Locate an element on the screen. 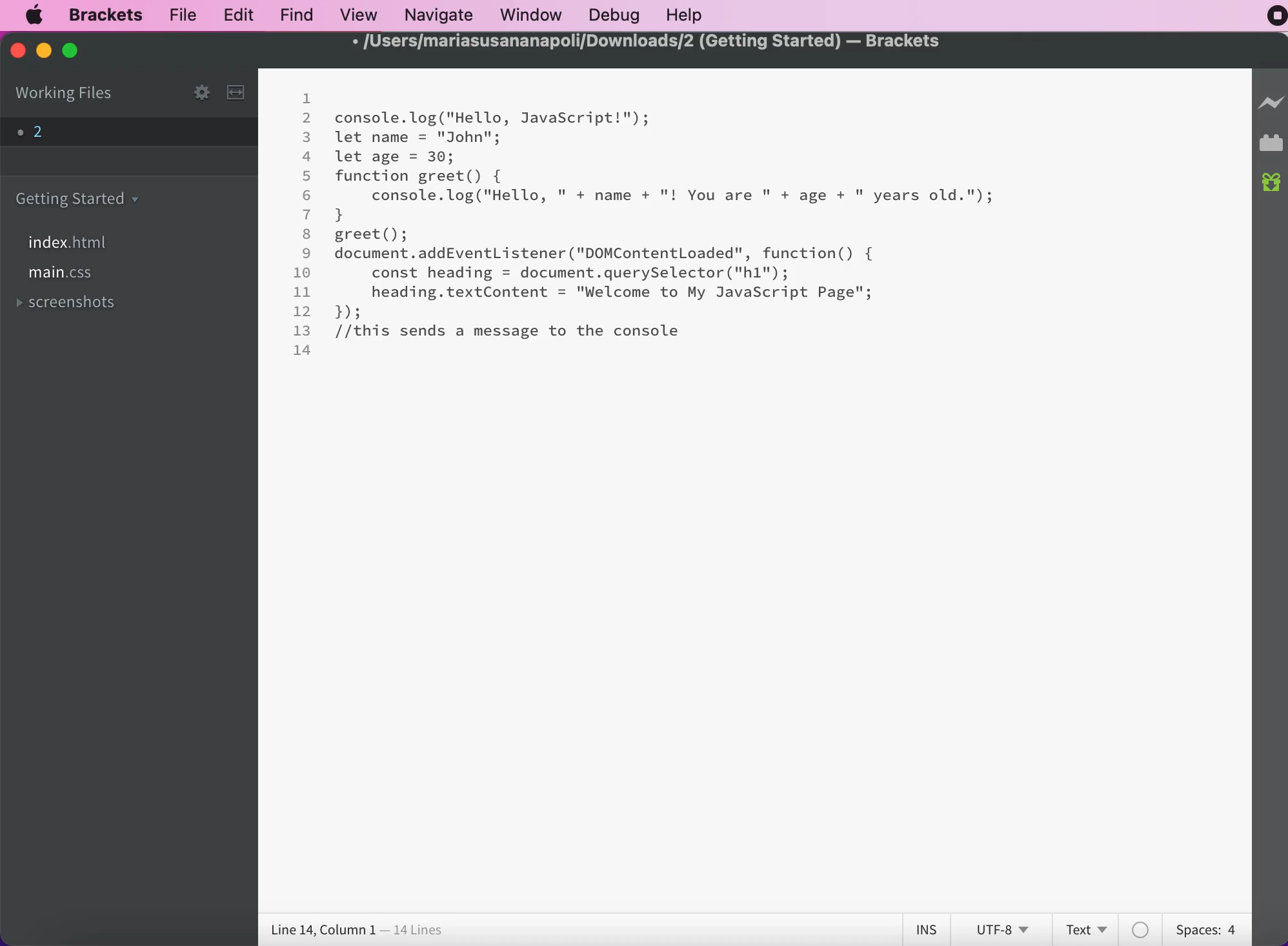  help is located at coordinates (689, 15).